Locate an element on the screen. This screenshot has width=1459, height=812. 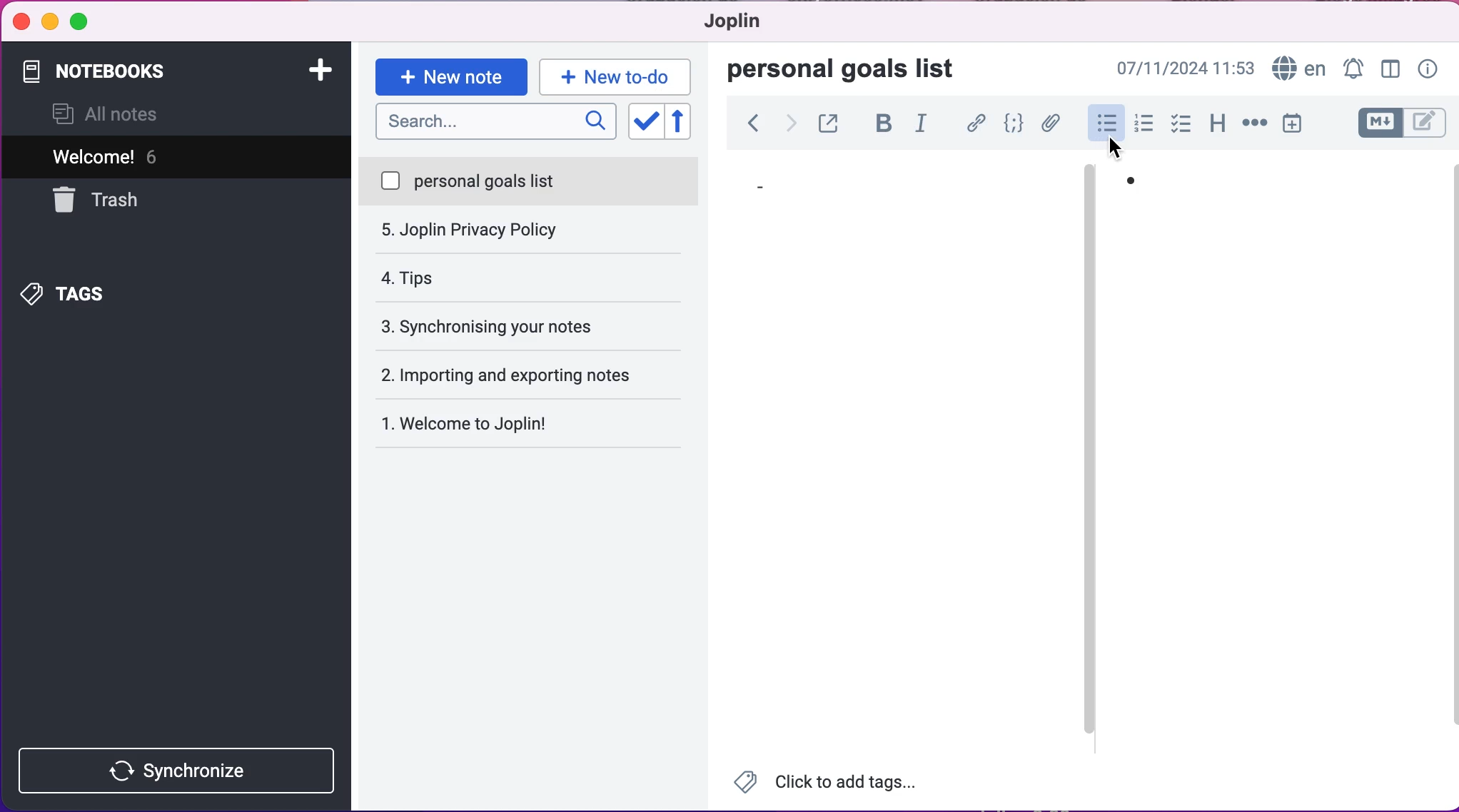
check box is located at coordinates (1181, 128).